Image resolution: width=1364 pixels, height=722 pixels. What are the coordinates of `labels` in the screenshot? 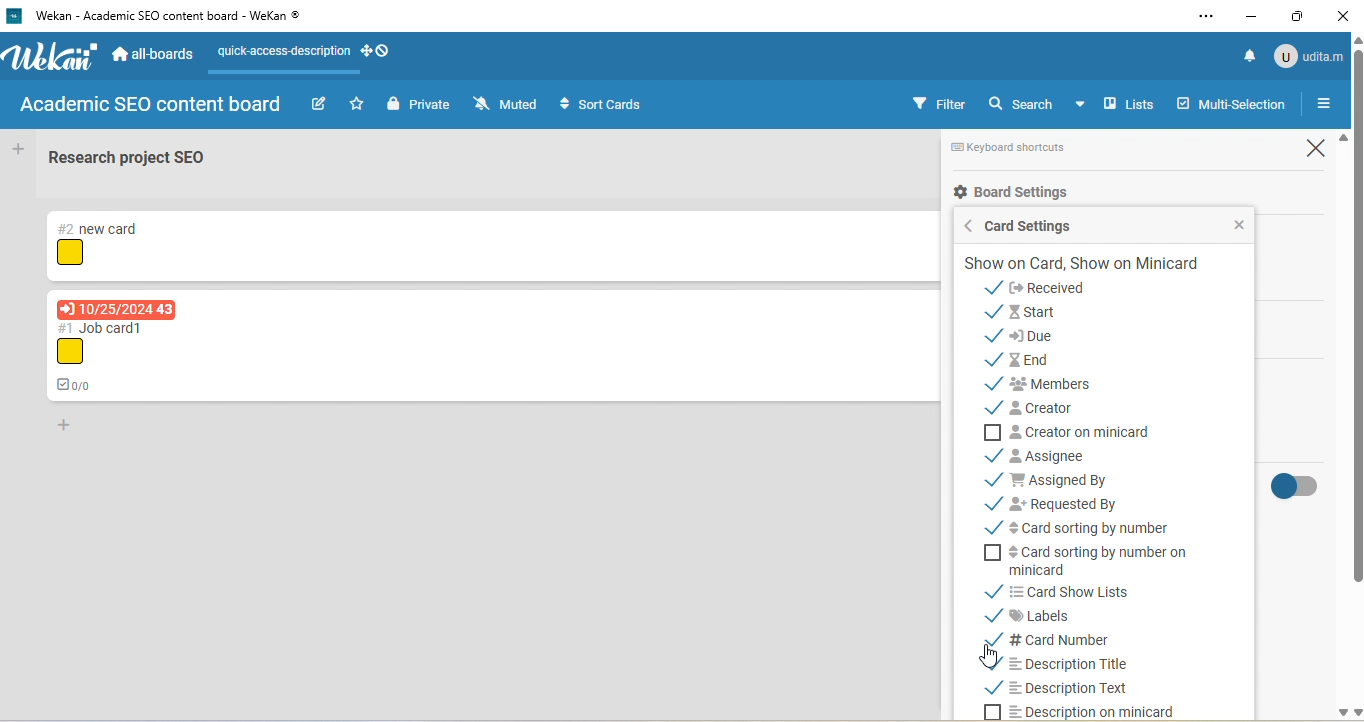 It's located at (1053, 614).